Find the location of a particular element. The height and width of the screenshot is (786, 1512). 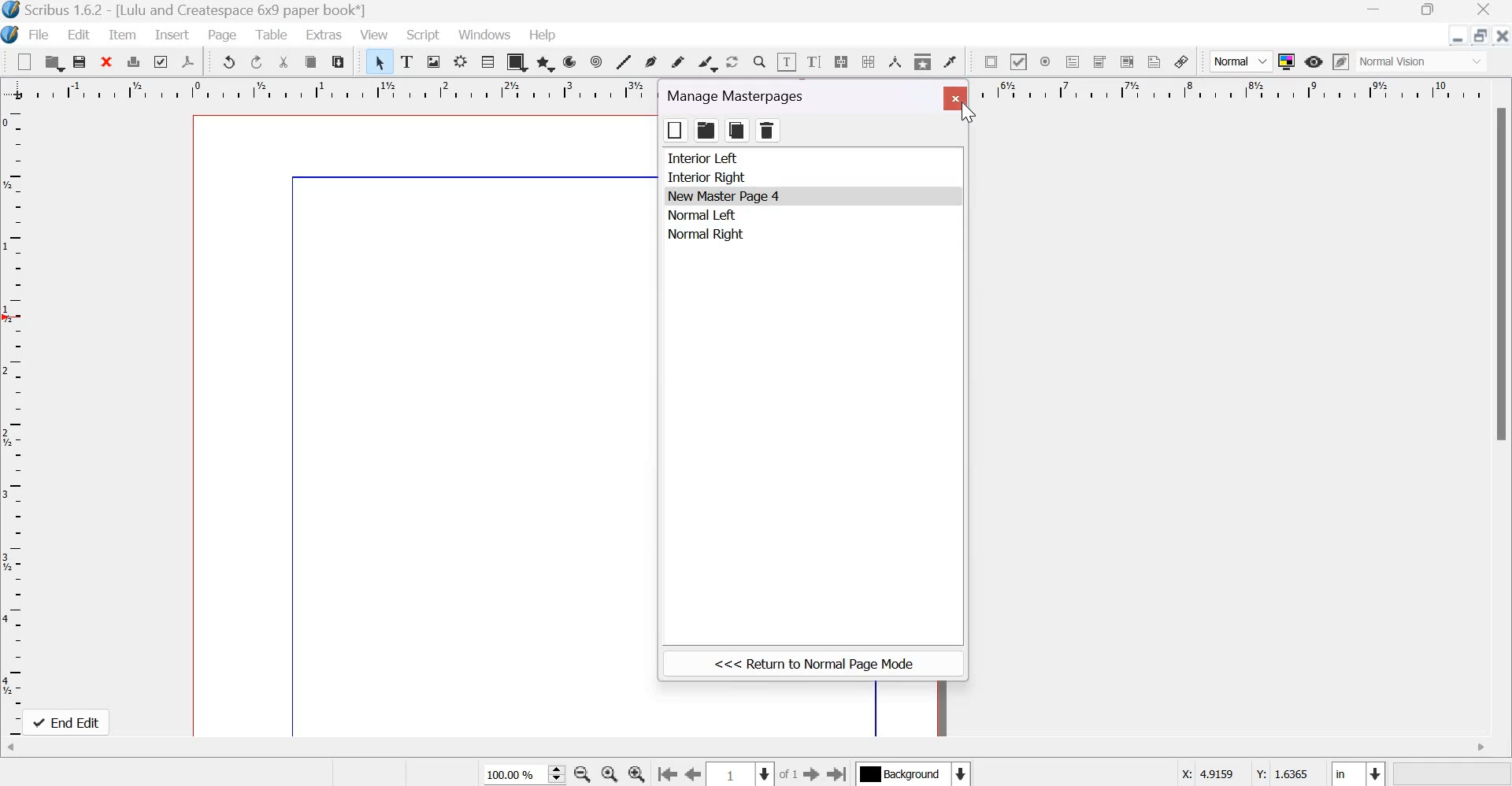

Minimize is located at coordinates (1457, 36).